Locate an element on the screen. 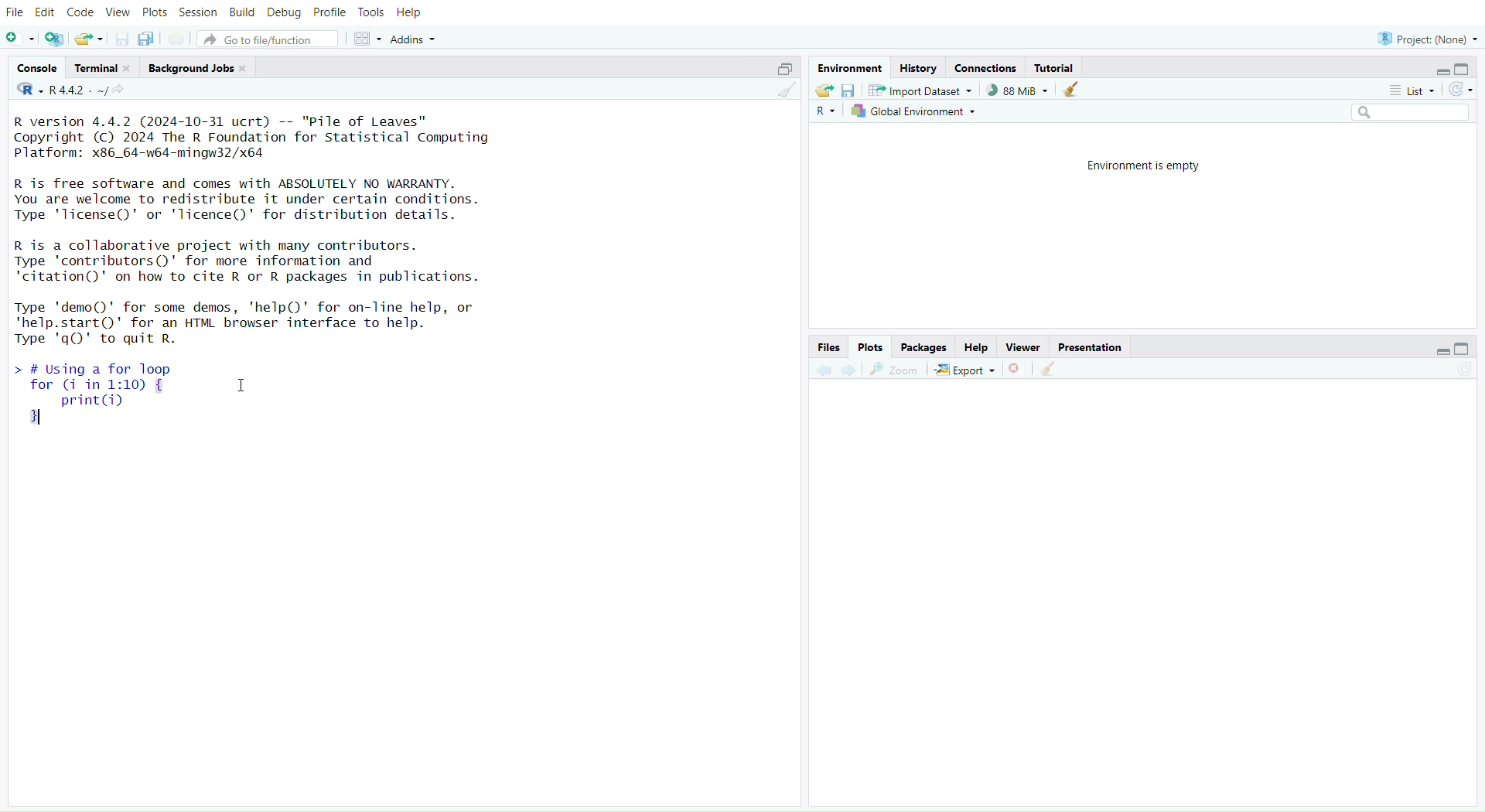 The image size is (1485, 812). background jobs is located at coordinates (198, 67).